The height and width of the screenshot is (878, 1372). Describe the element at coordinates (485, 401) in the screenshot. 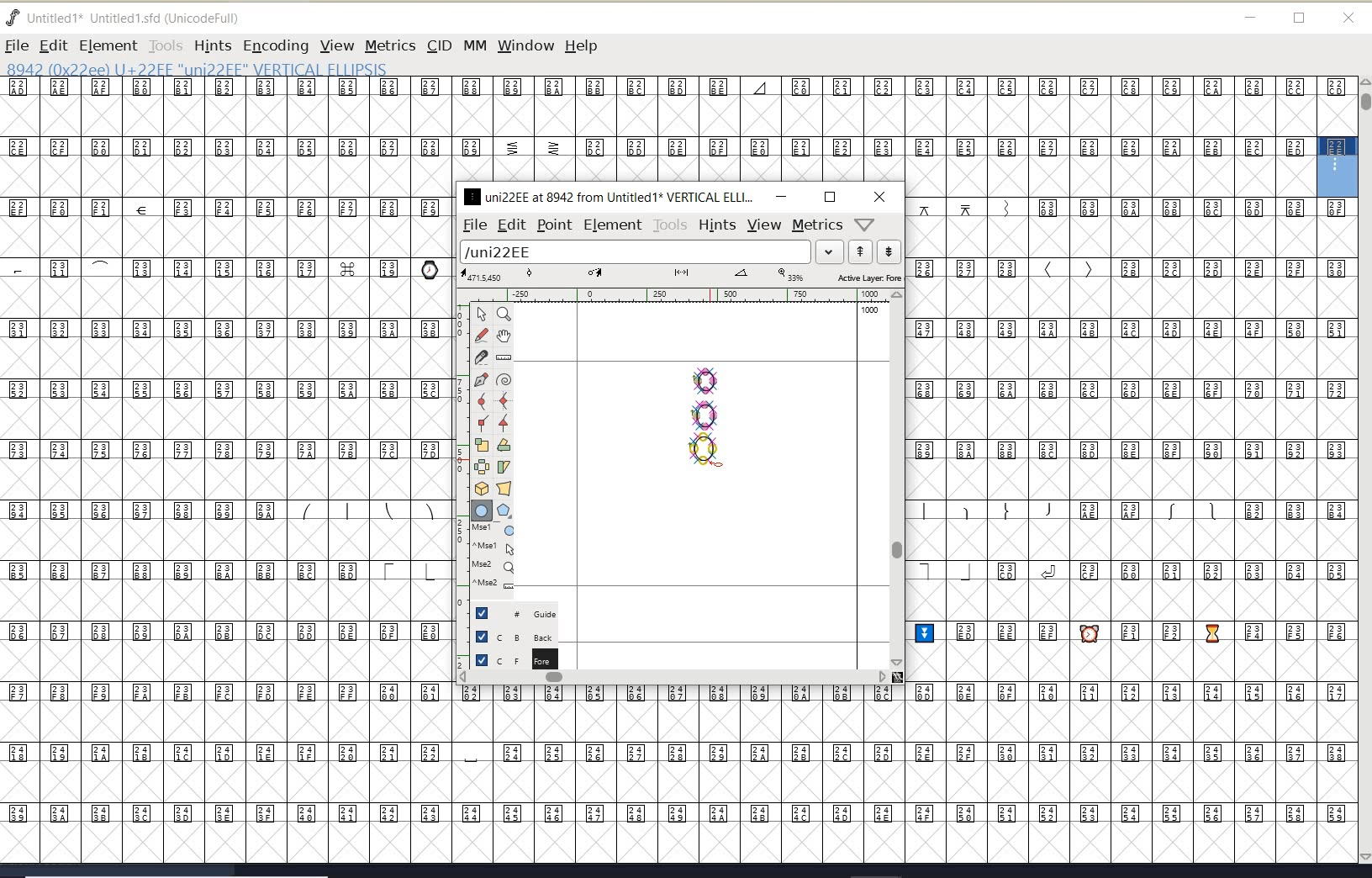

I see `add a curve point` at that location.